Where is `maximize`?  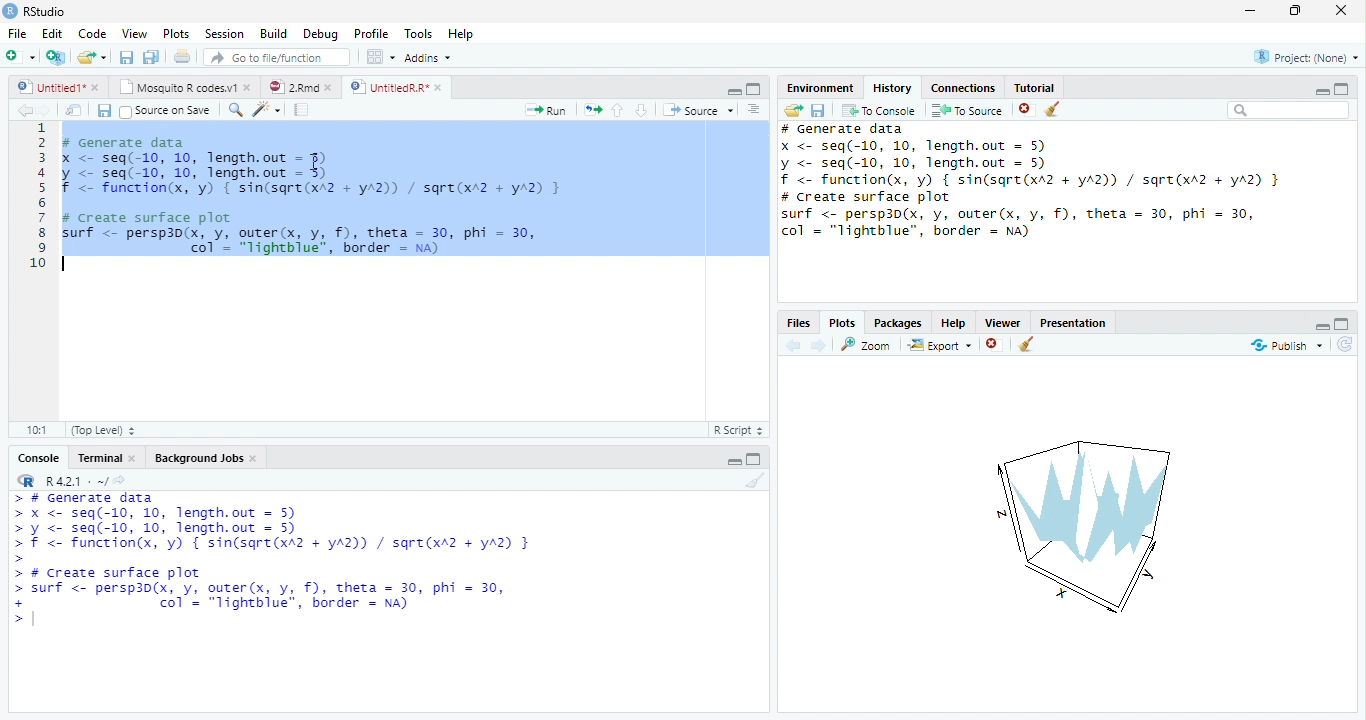 maximize is located at coordinates (1343, 324).